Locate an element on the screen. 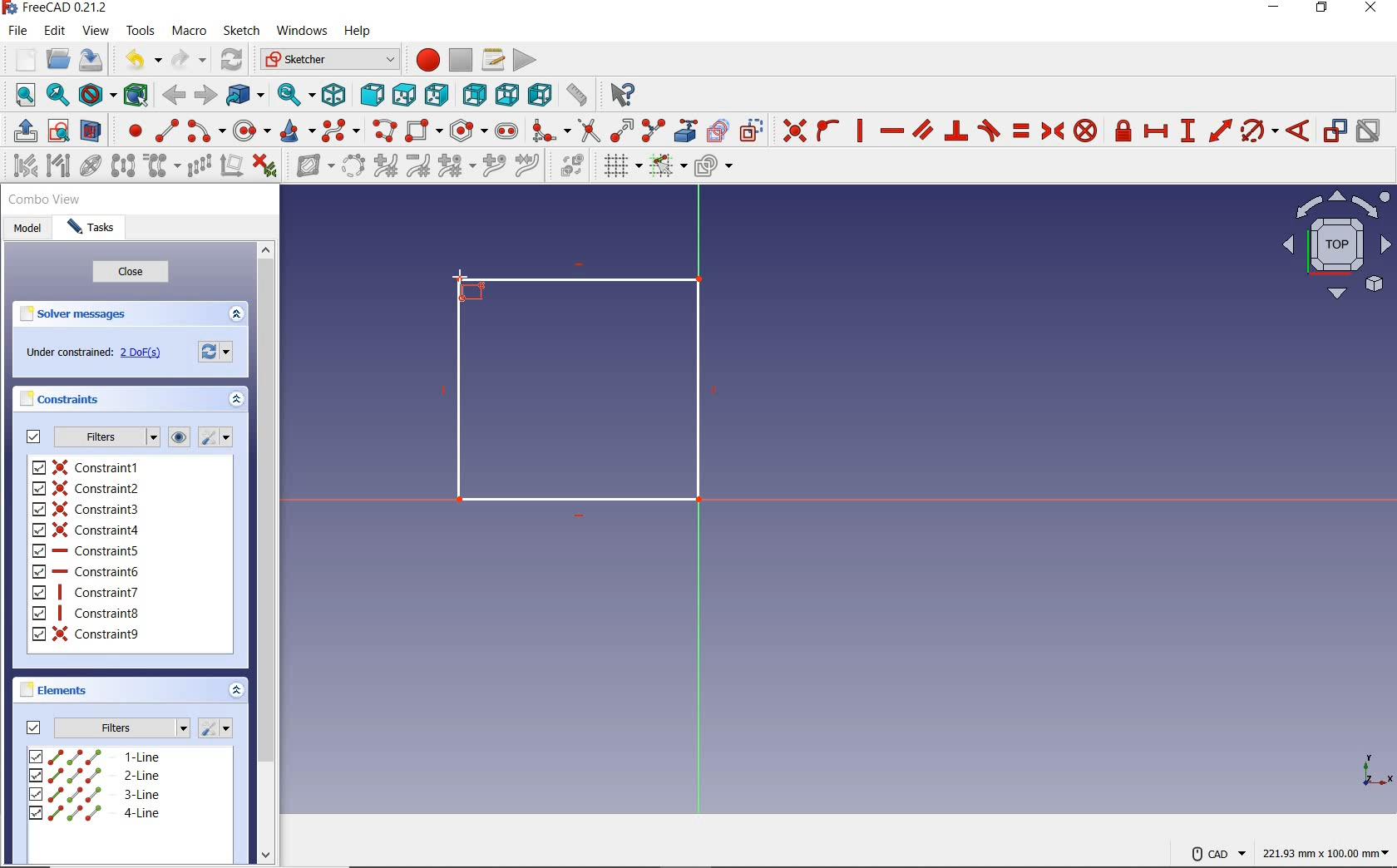 The image size is (1397, 868). decrease b-spline degree is located at coordinates (420, 167).